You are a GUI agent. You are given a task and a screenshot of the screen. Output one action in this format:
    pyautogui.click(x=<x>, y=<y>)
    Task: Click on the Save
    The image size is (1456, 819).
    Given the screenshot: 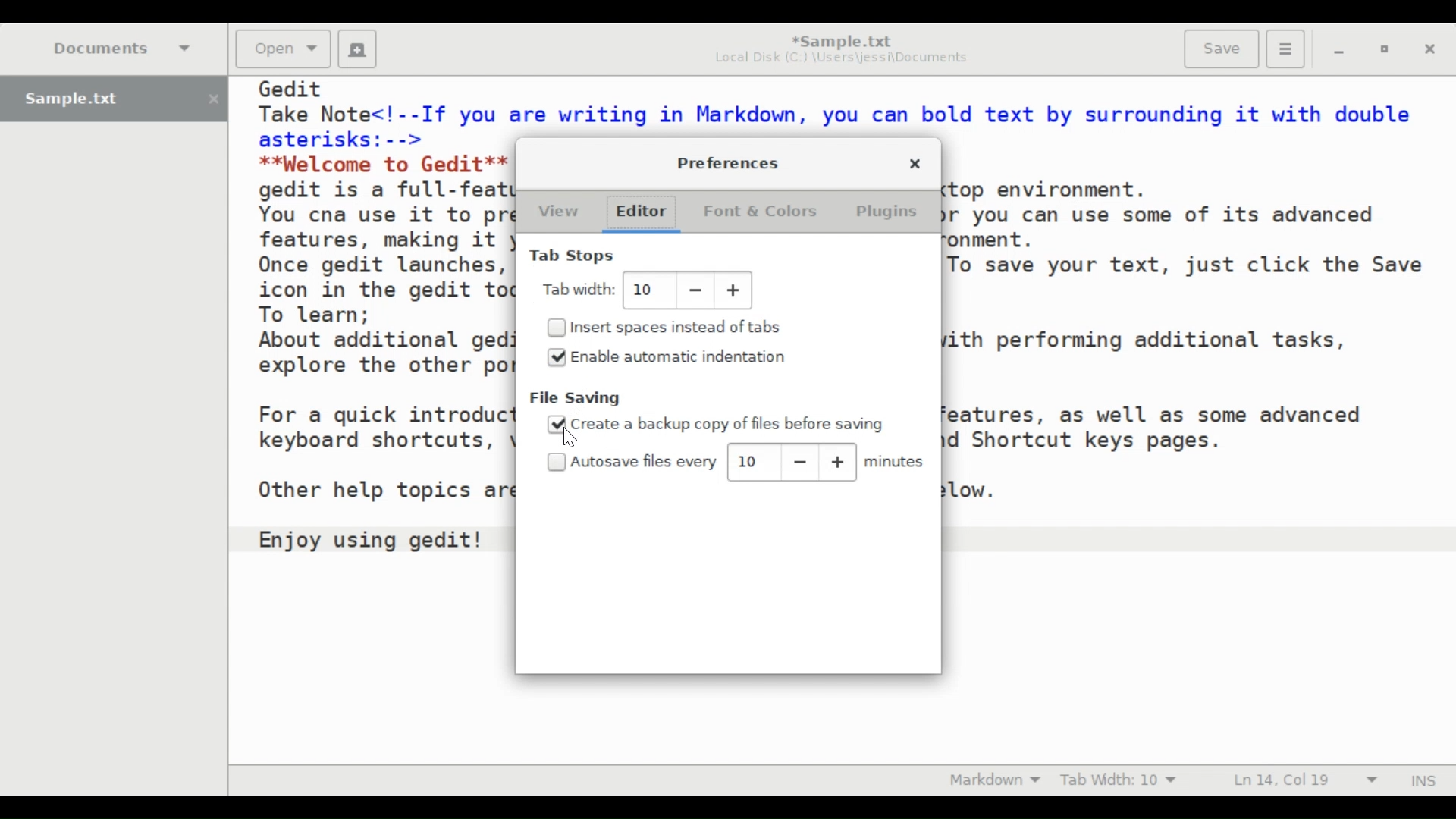 What is the action you would take?
    pyautogui.click(x=1220, y=49)
    